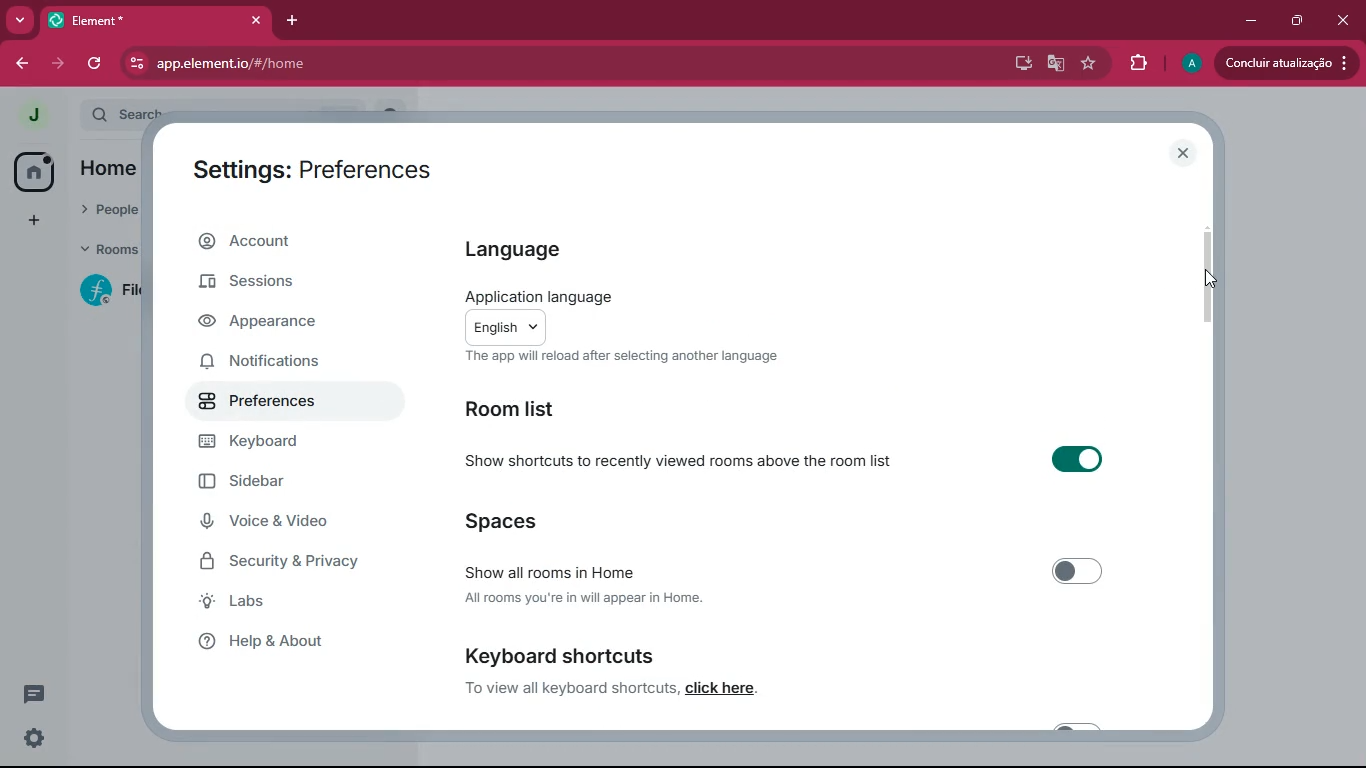  I want to click on keyboard , so click(283, 444).